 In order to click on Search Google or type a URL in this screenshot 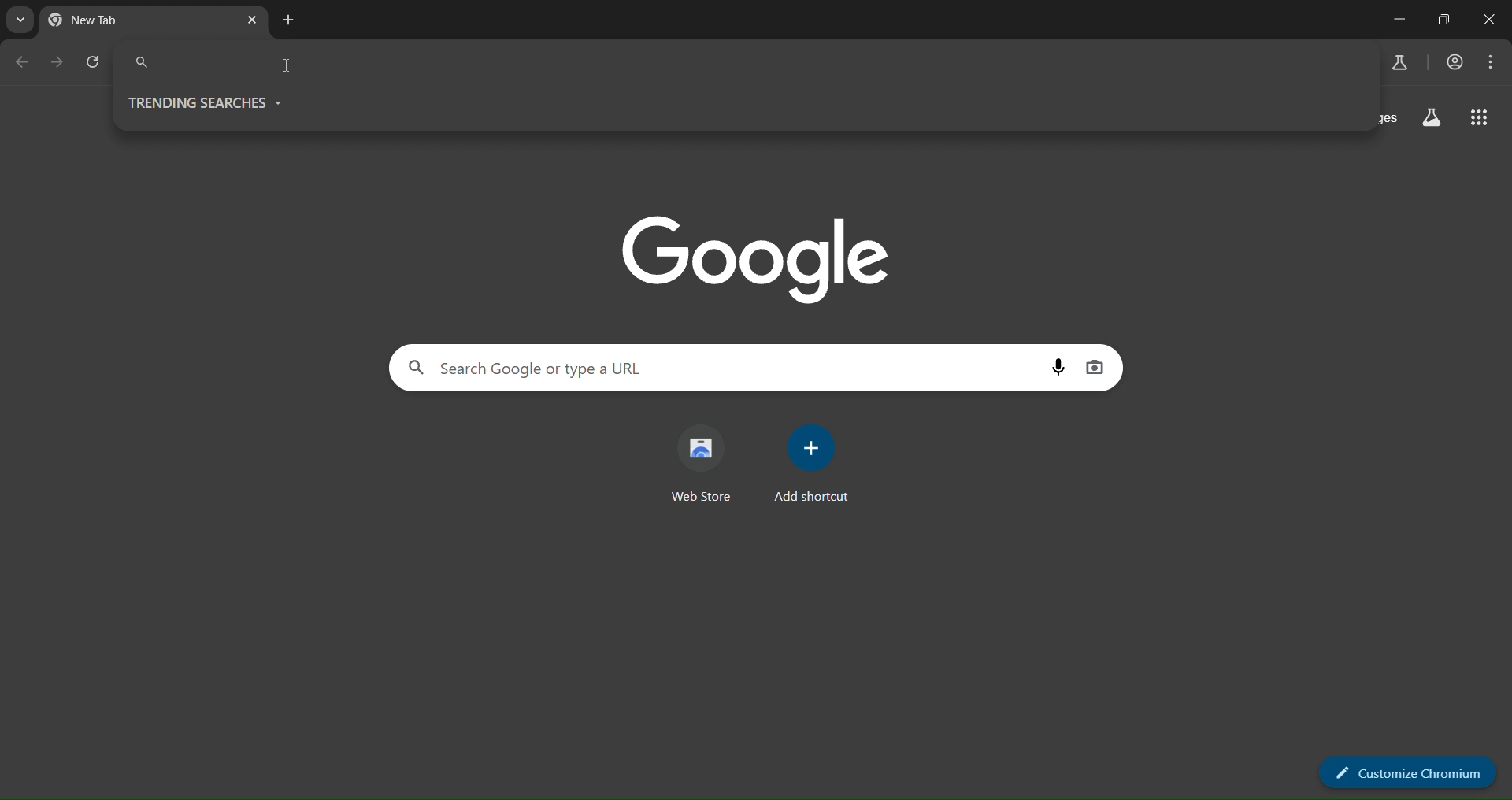, I will do `click(717, 368)`.